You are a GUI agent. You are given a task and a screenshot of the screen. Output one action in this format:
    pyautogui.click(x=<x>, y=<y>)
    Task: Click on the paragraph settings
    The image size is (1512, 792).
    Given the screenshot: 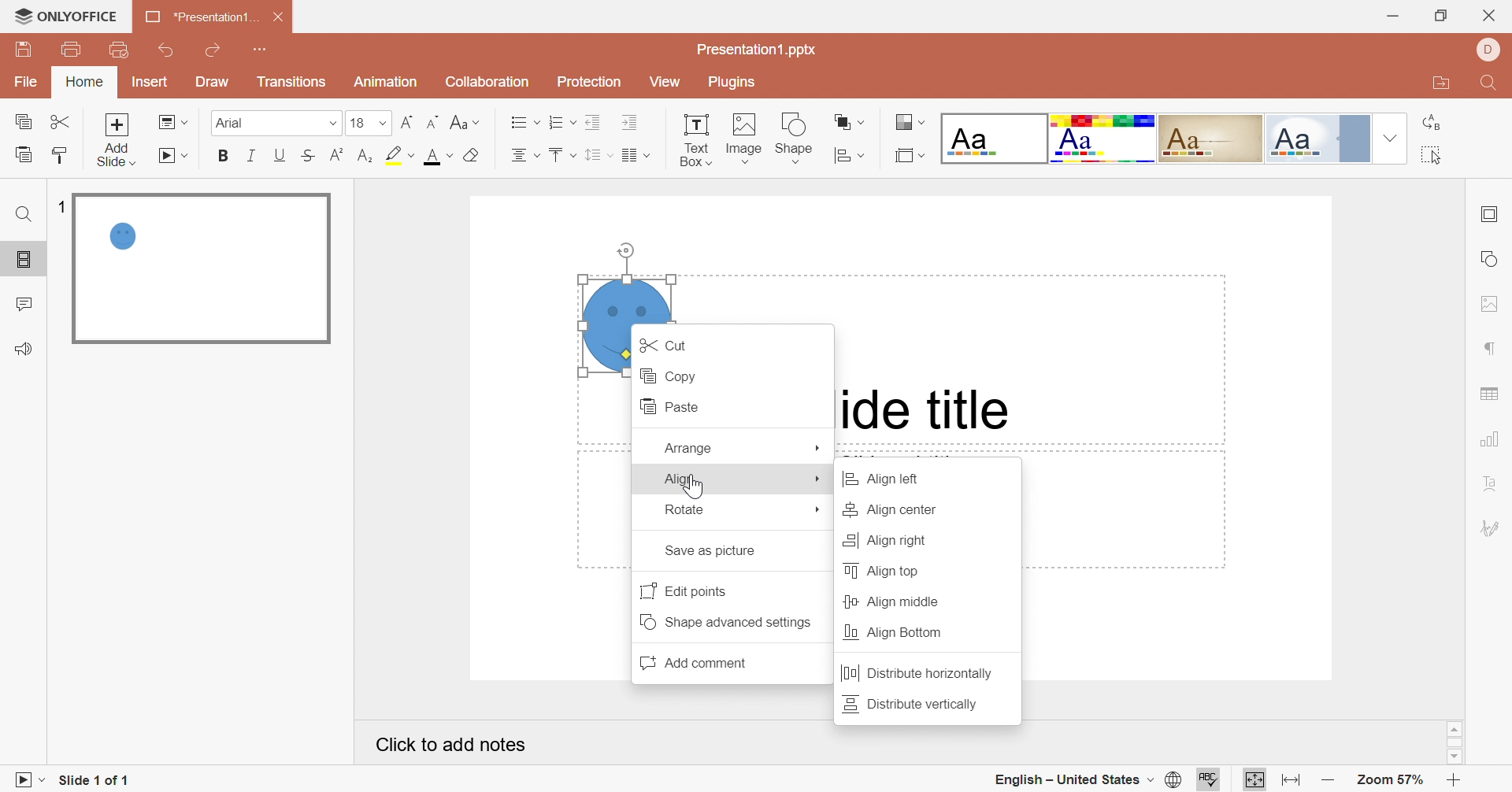 What is the action you would take?
    pyautogui.click(x=1492, y=350)
    